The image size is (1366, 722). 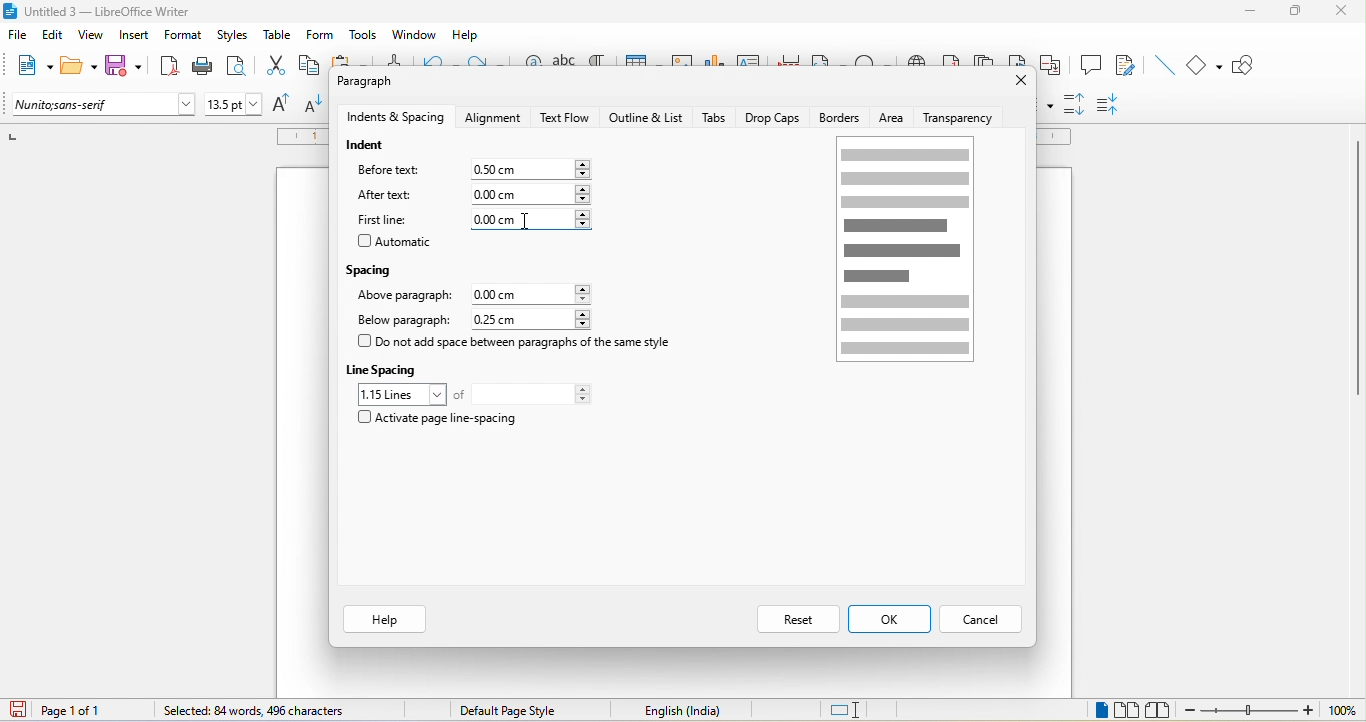 What do you see at coordinates (1092, 711) in the screenshot?
I see `single page view` at bounding box center [1092, 711].